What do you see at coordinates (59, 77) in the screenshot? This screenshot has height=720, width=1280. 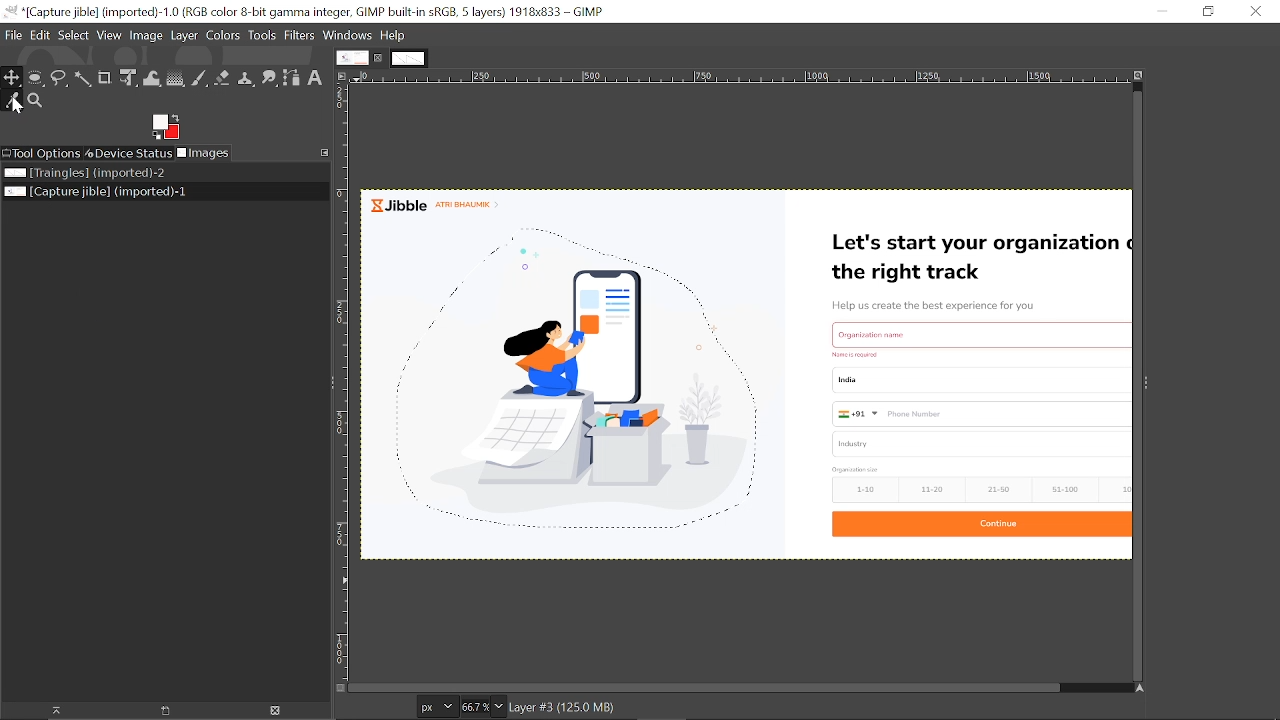 I see `Select tool` at bounding box center [59, 77].